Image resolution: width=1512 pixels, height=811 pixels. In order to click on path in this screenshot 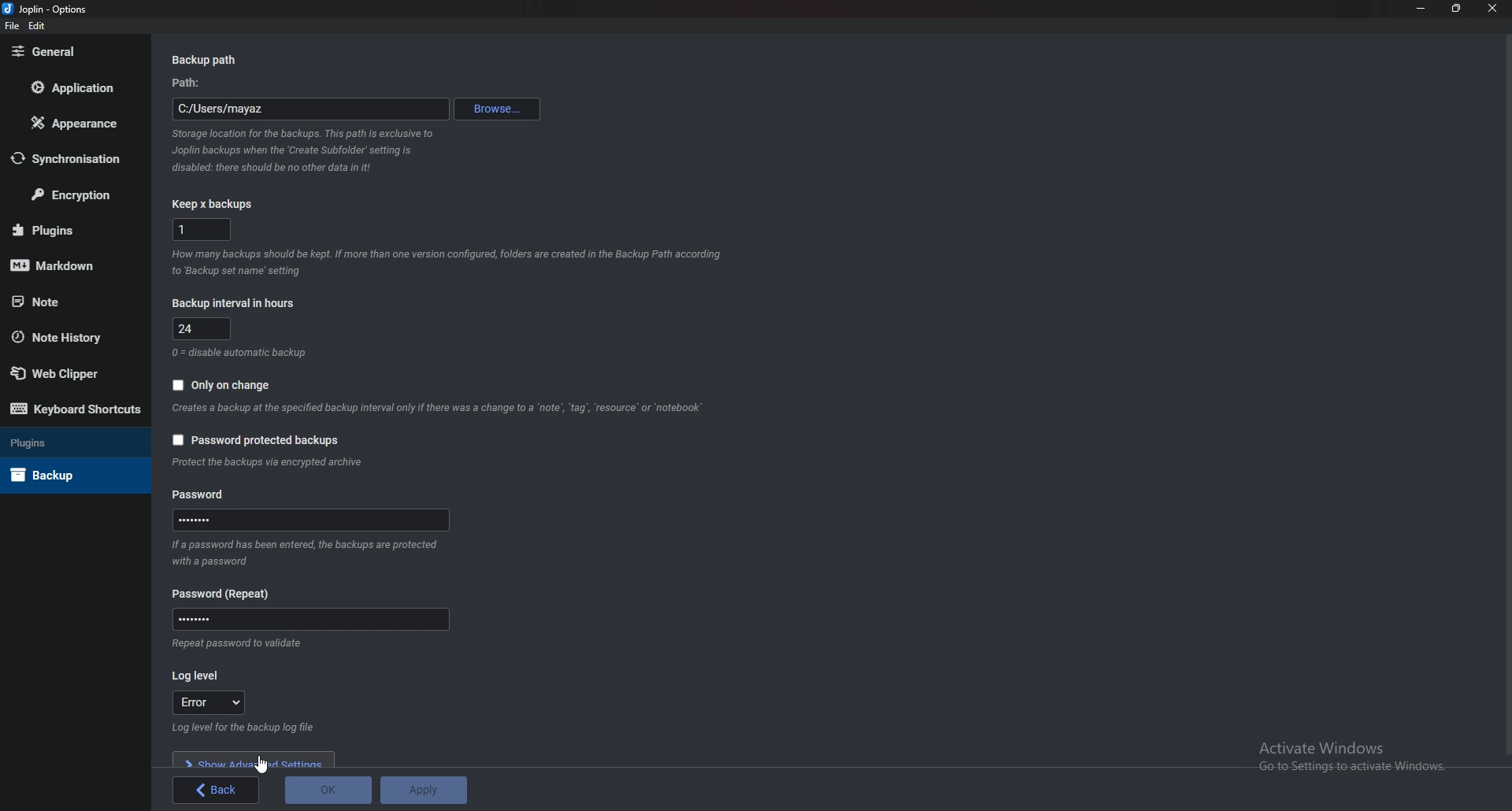, I will do `click(193, 83)`.